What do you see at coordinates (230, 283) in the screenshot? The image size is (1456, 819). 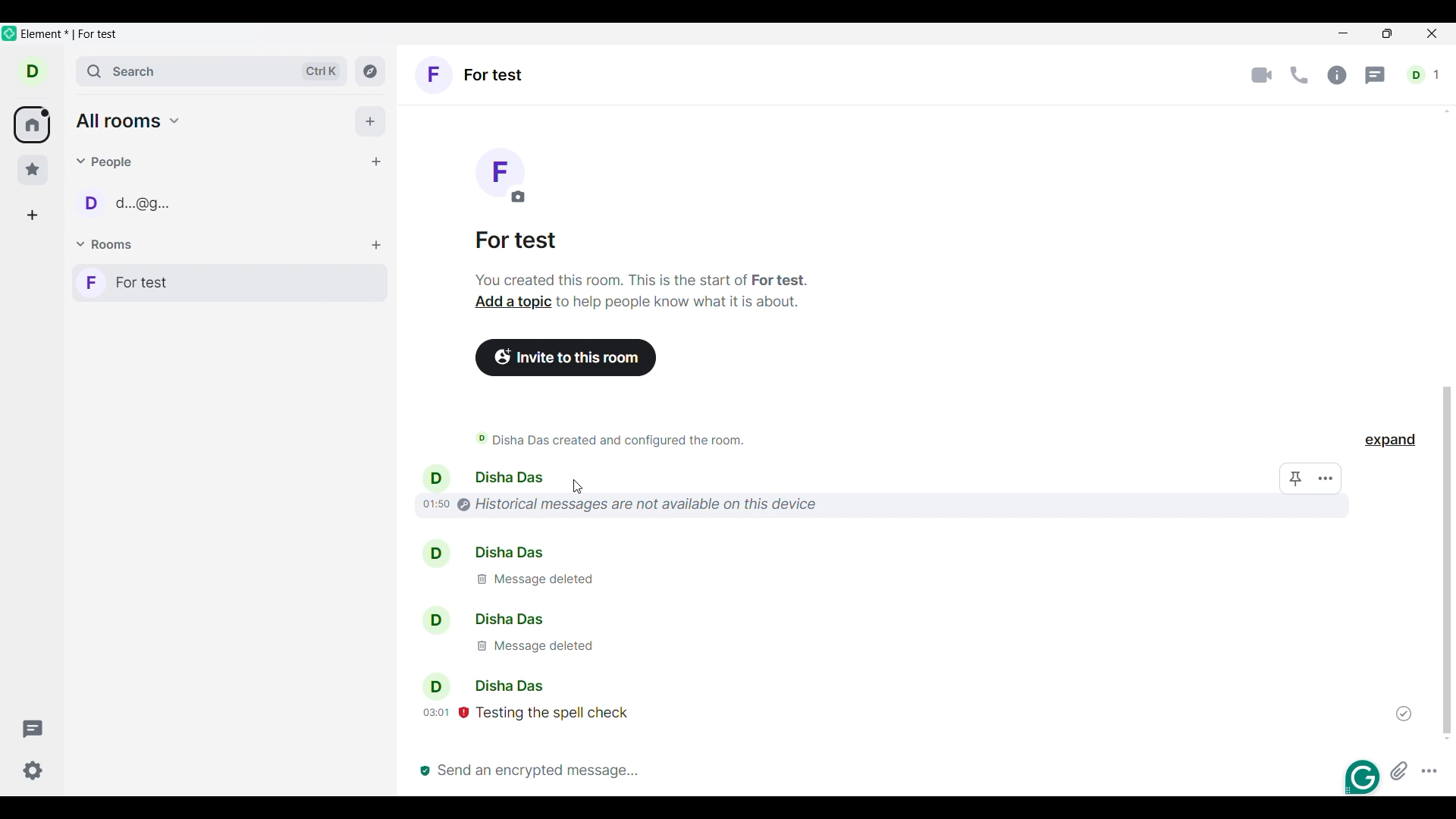 I see `f for test` at bounding box center [230, 283].